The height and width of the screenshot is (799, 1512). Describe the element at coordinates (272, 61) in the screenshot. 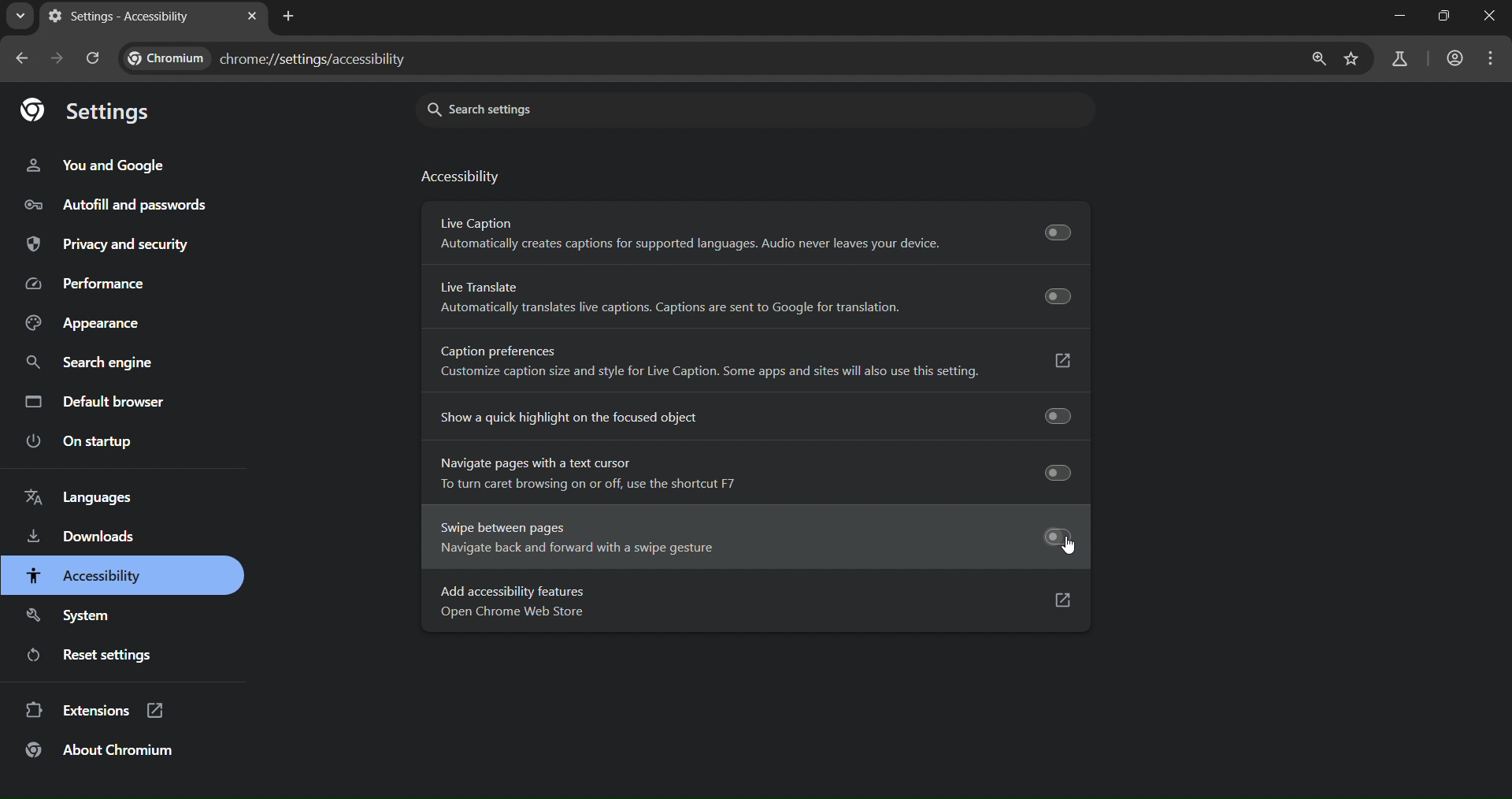

I see `chrome://settings/accessibility` at that location.